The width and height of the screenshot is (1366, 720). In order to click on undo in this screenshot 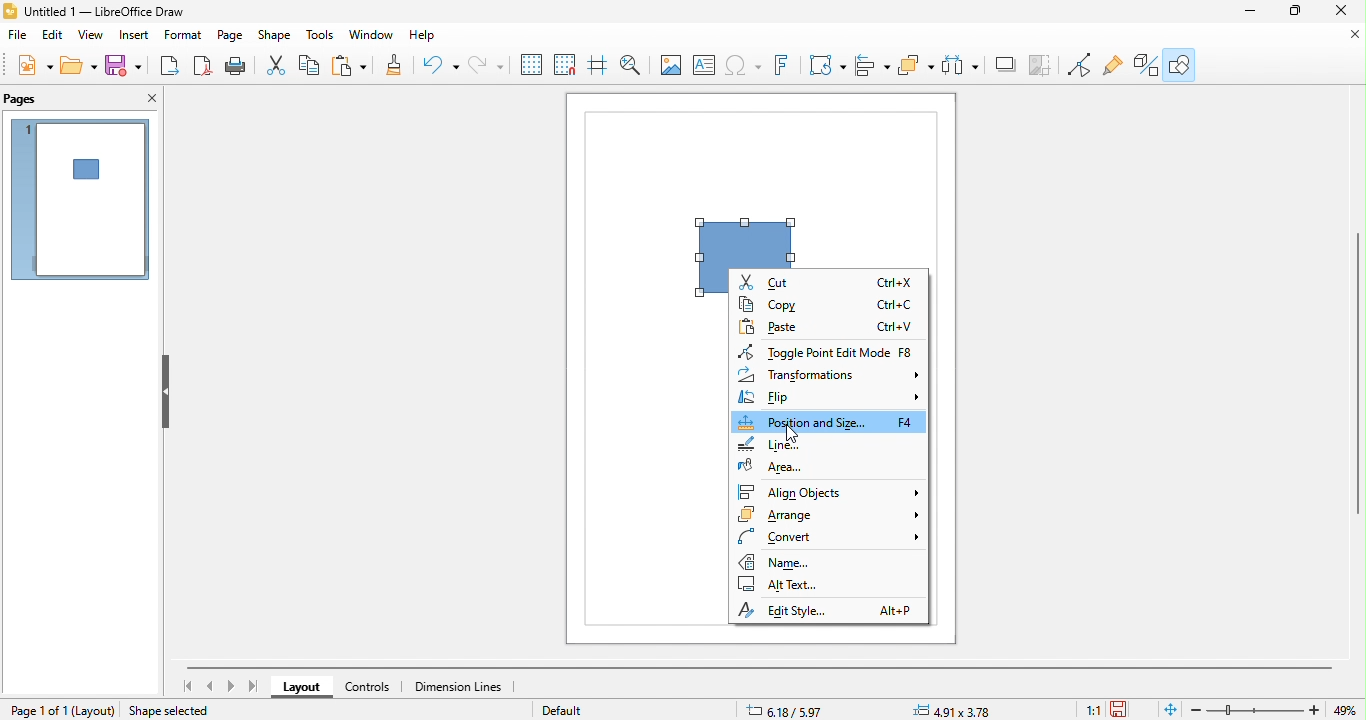, I will do `click(443, 66)`.